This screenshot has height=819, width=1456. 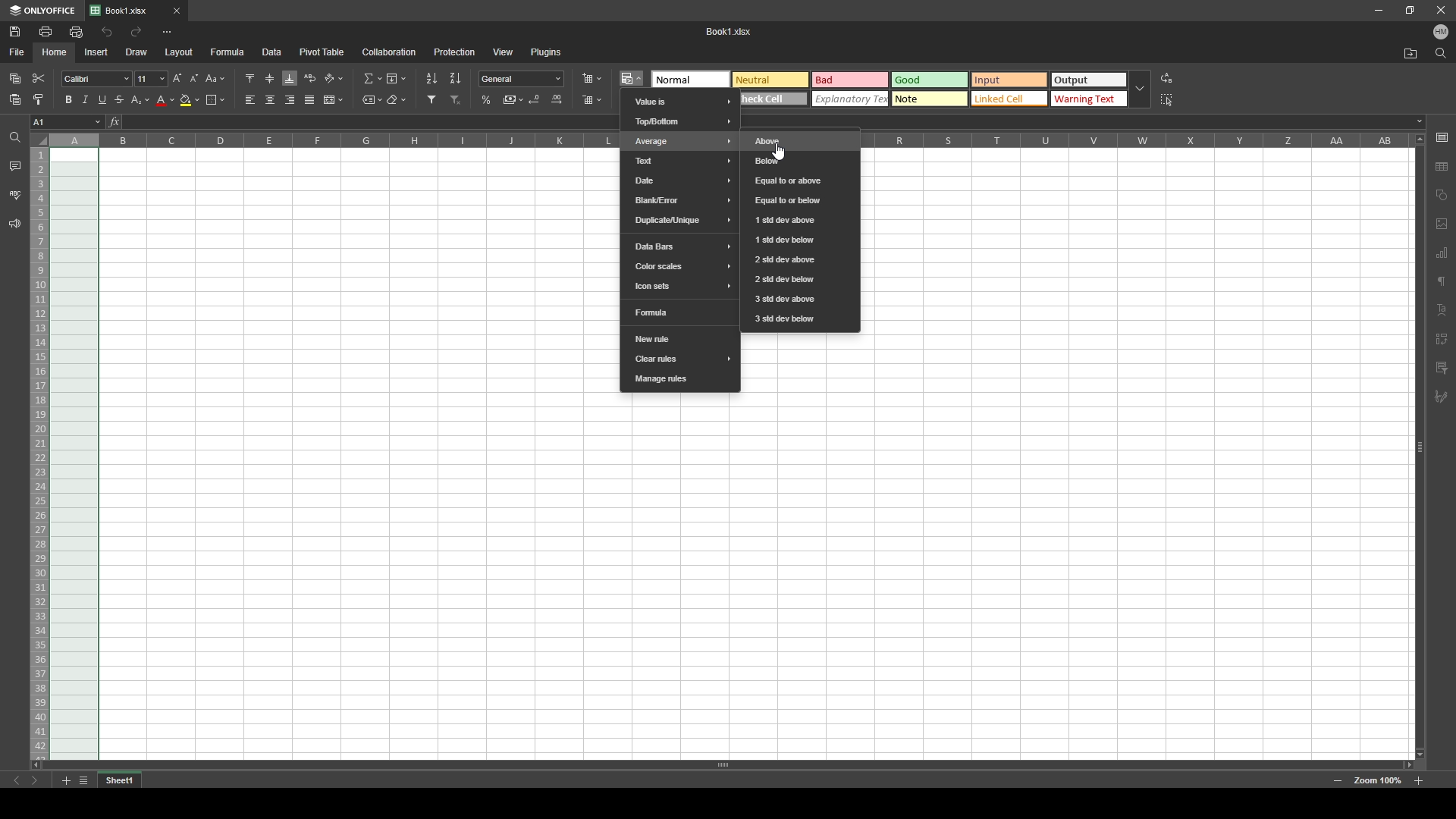 I want to click on sort ascending, so click(x=431, y=78).